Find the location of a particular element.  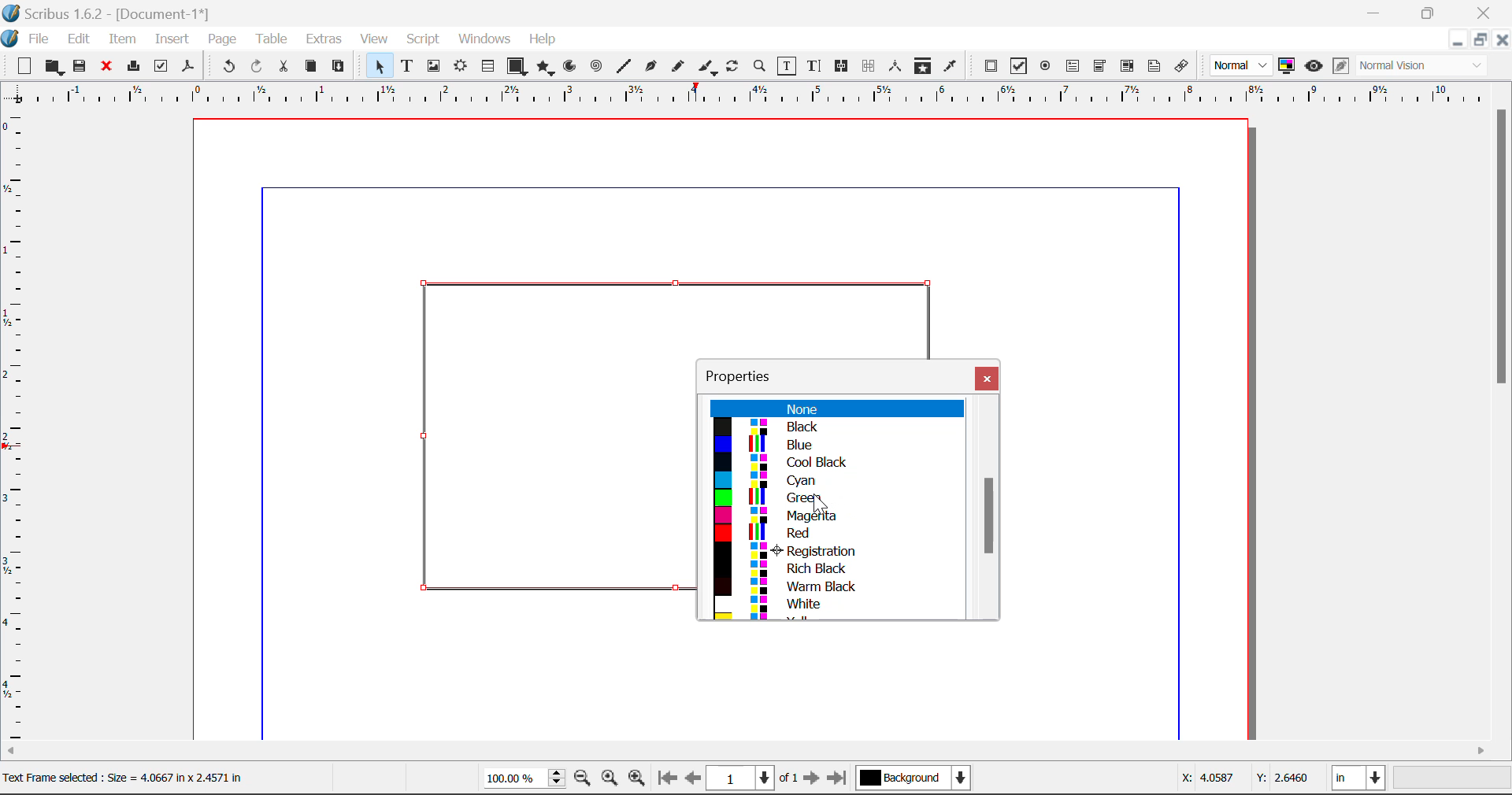

Cyan is located at coordinates (836, 479).